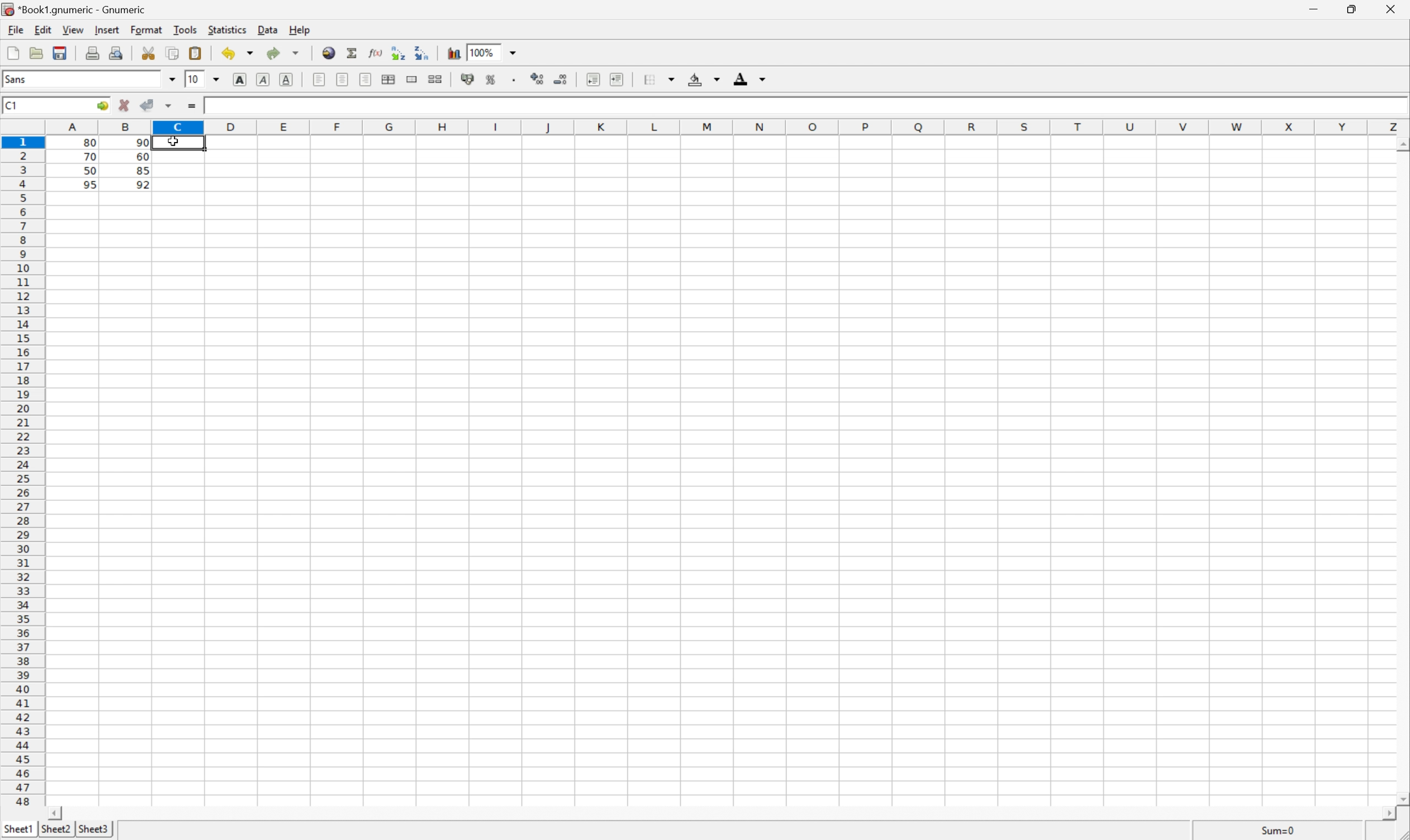  What do you see at coordinates (19, 828) in the screenshot?
I see `Sheet1` at bounding box center [19, 828].